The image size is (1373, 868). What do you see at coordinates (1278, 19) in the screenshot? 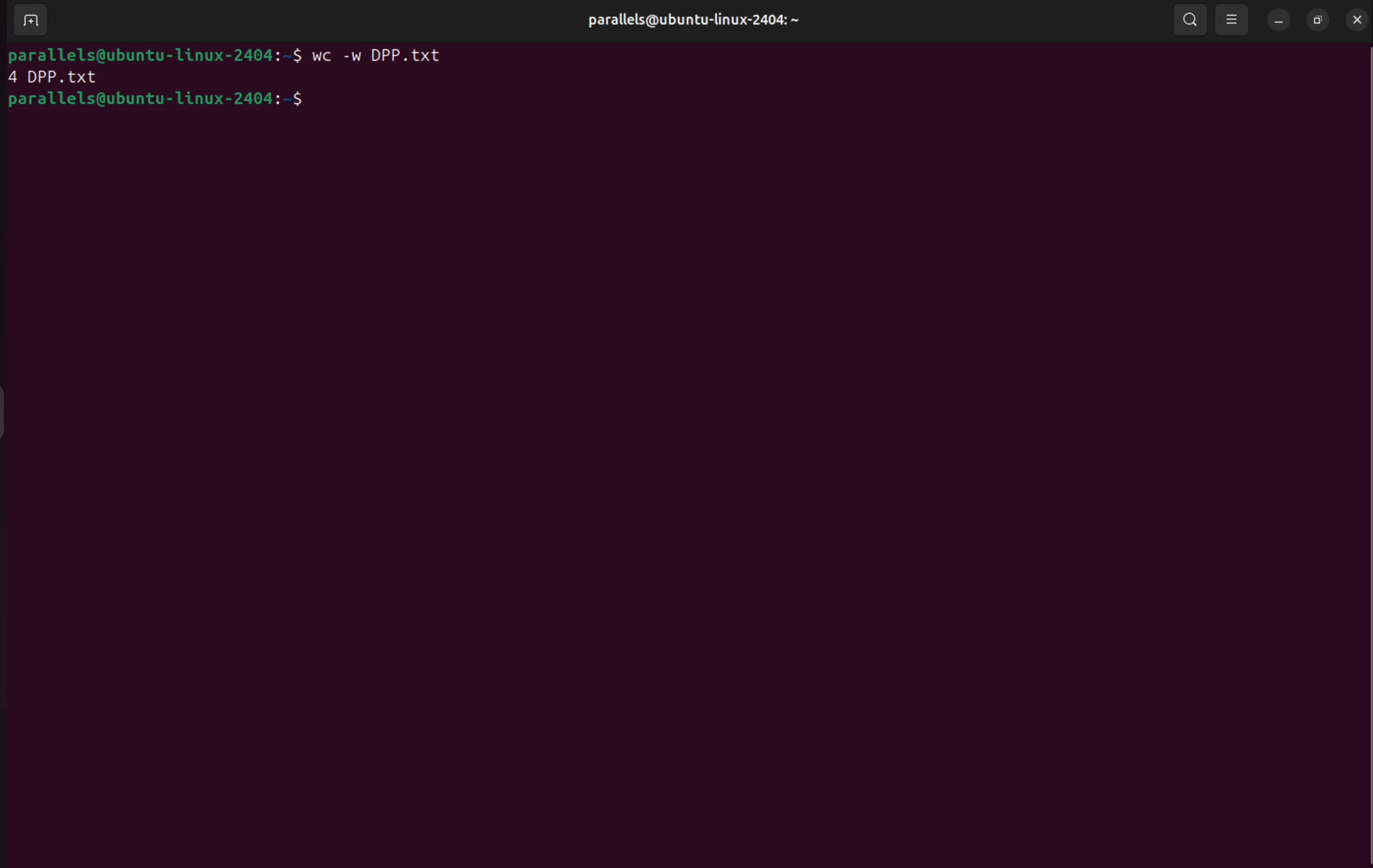
I see `minimize` at bounding box center [1278, 19].